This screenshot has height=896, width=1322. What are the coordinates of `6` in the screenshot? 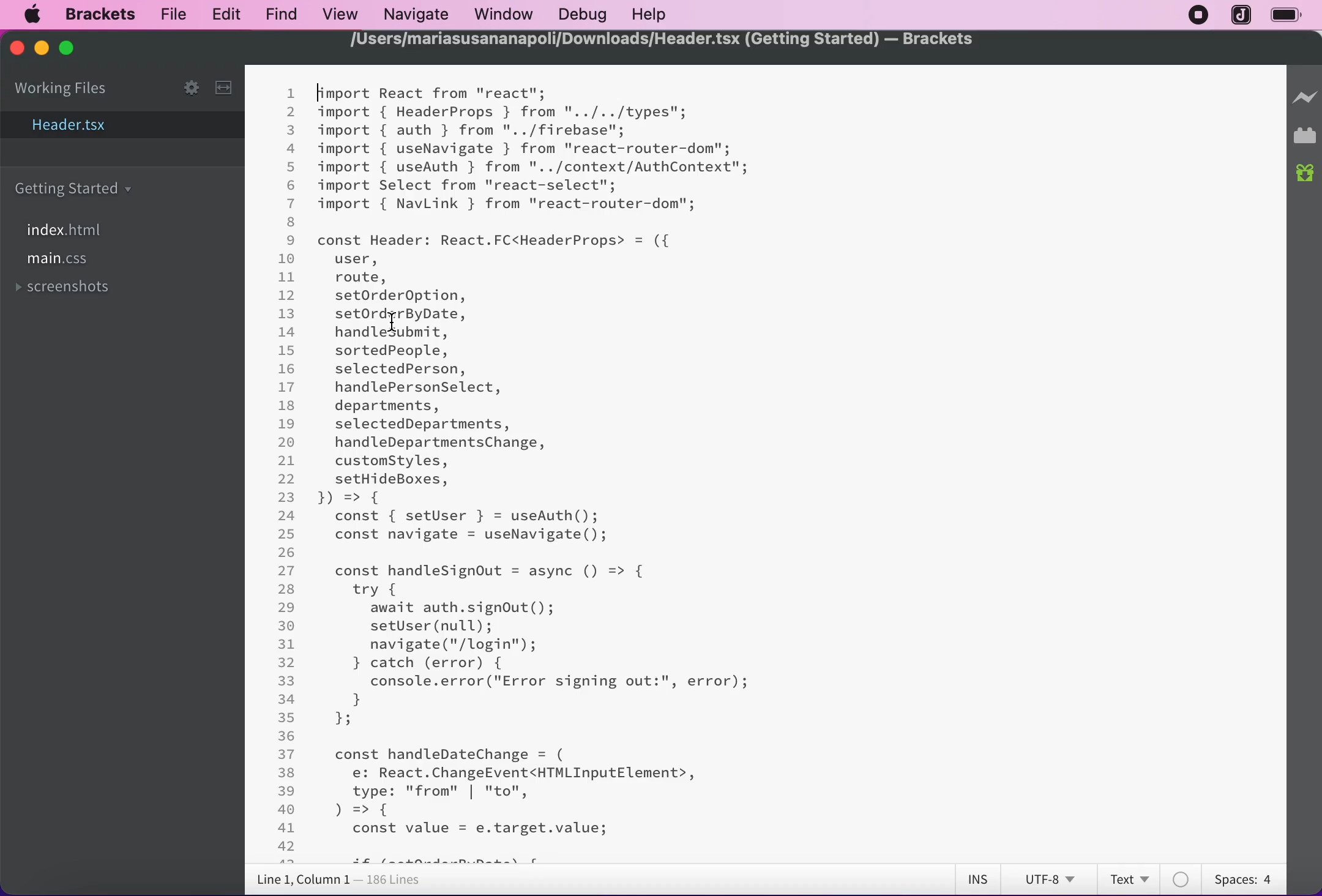 It's located at (291, 185).